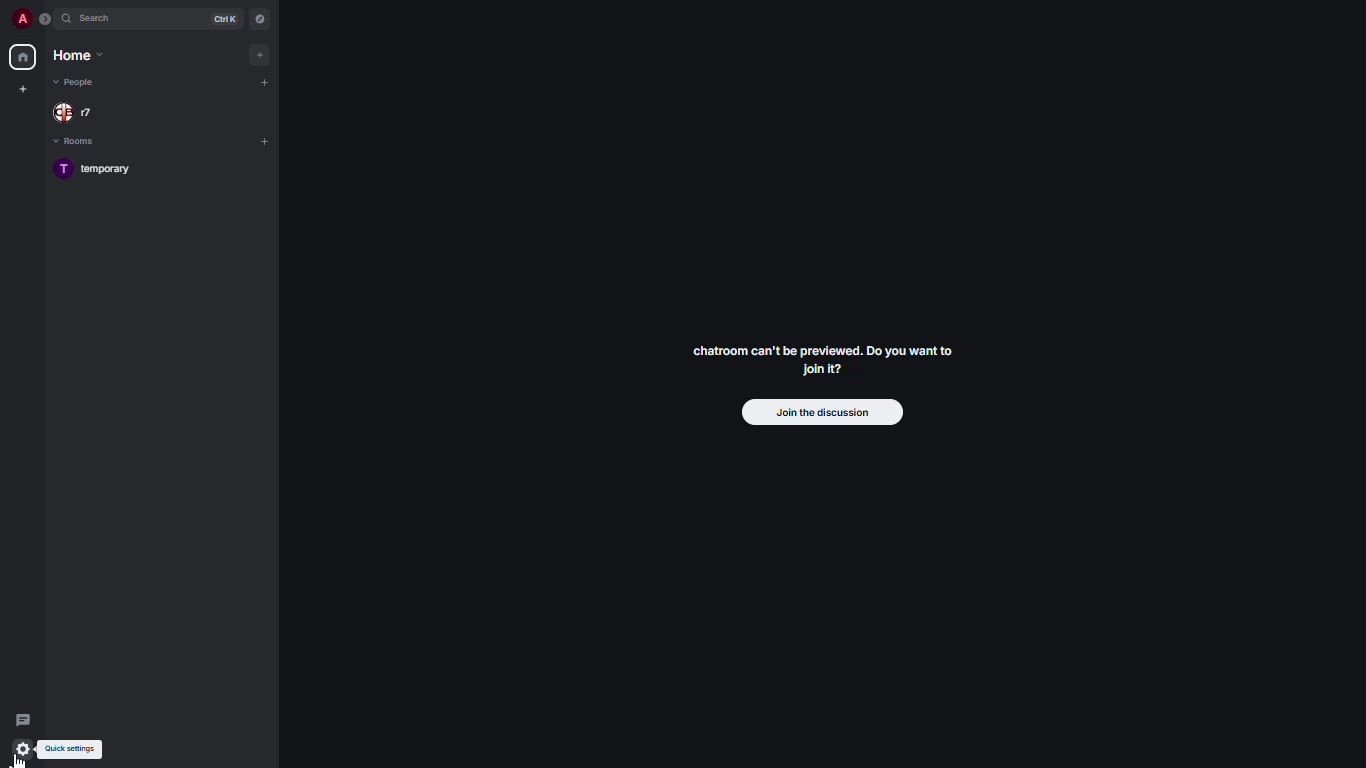 Image resolution: width=1366 pixels, height=768 pixels. Describe the element at coordinates (81, 141) in the screenshot. I see `rooms` at that location.